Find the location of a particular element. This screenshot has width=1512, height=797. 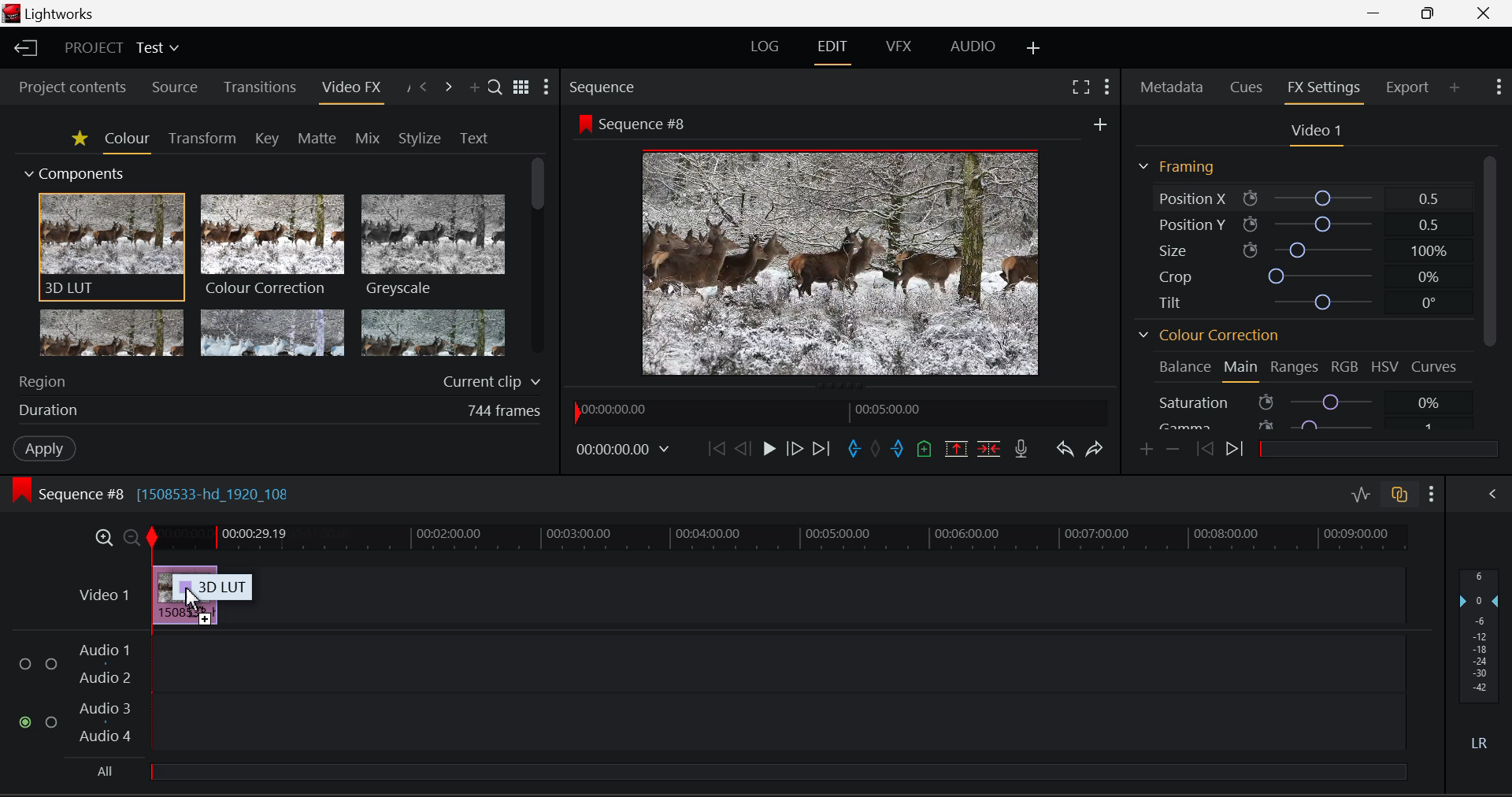

Sequence #8 is located at coordinates (633, 123).